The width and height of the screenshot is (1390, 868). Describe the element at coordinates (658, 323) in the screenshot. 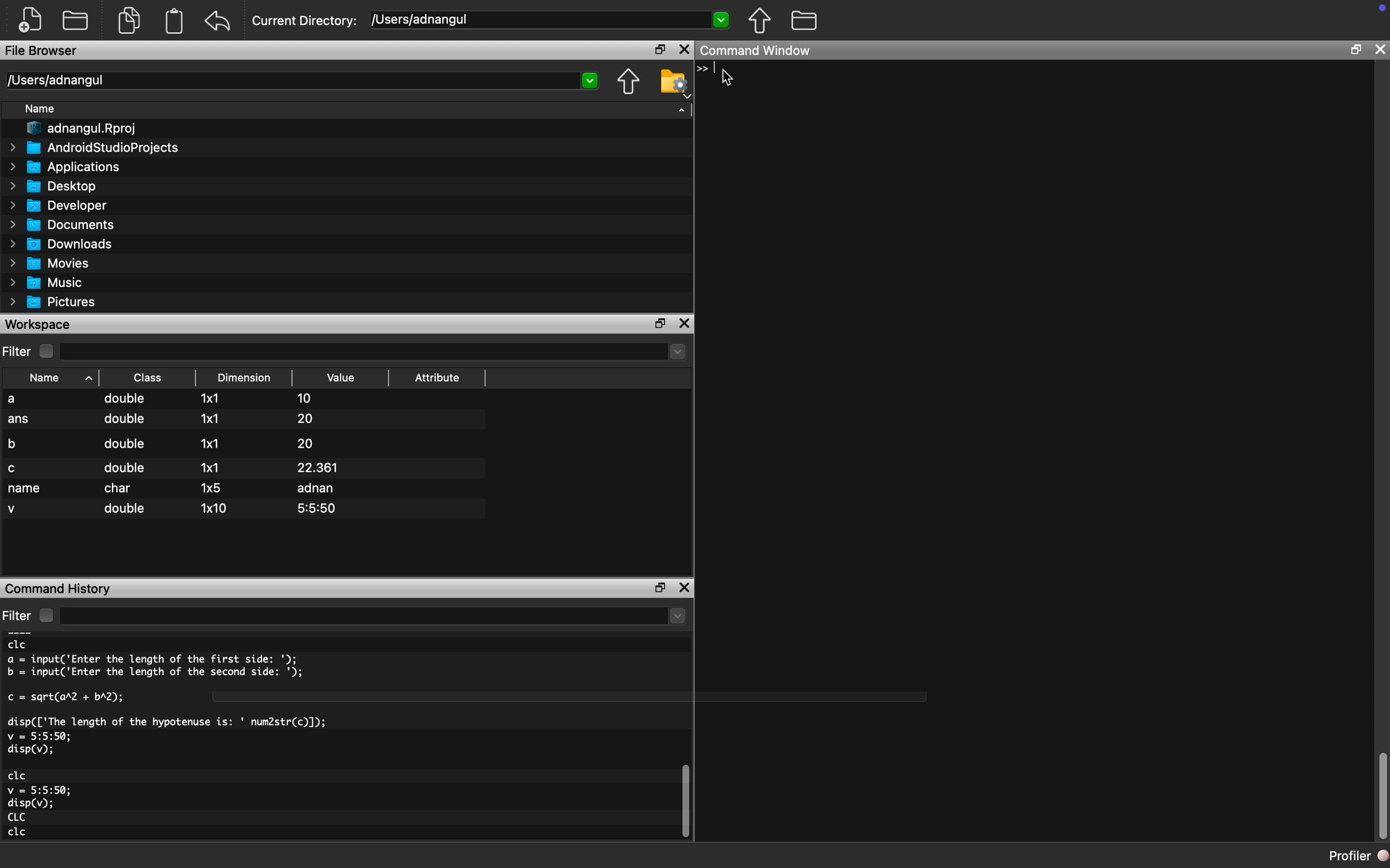

I see `Restore` at that location.